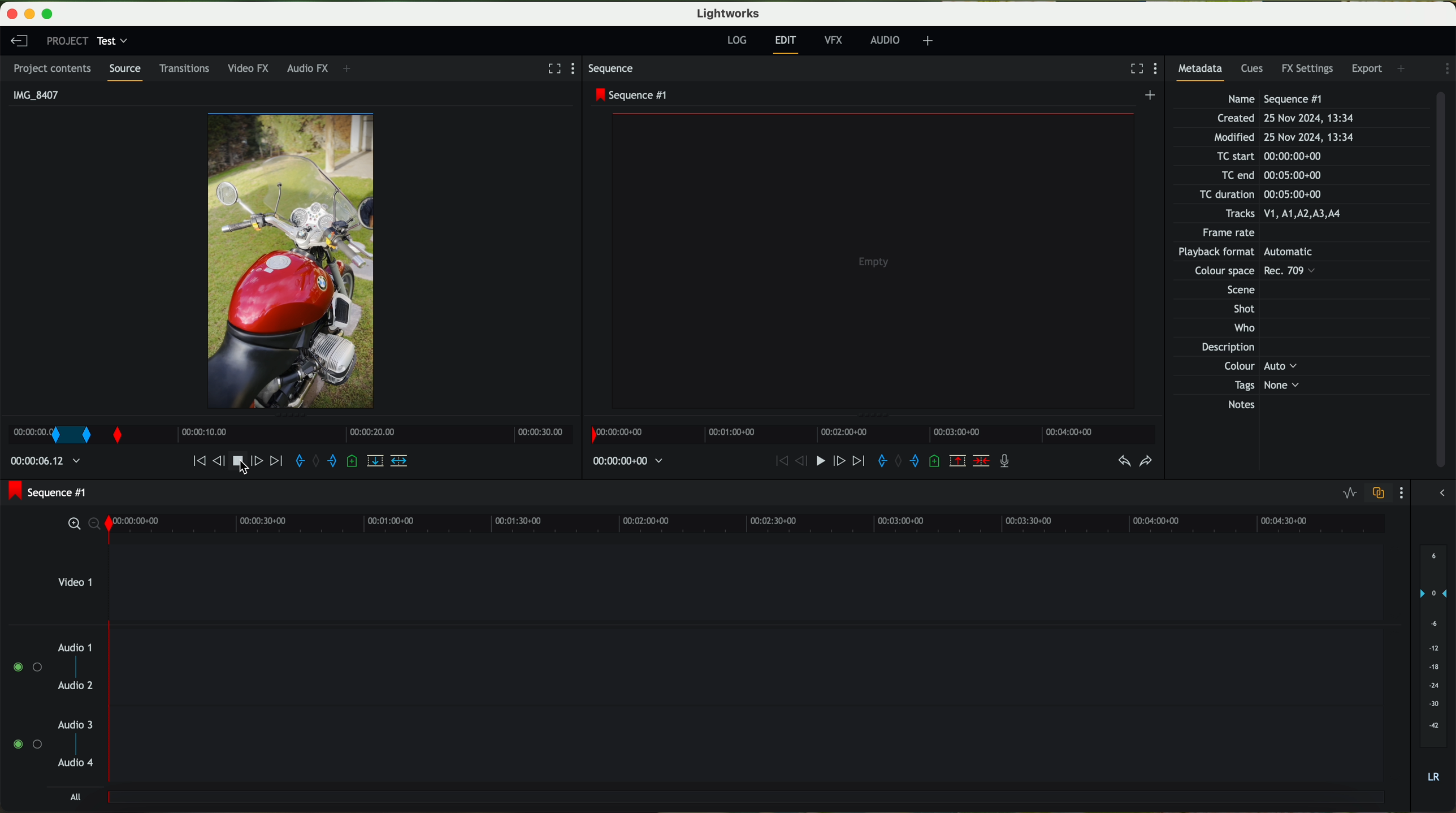 The image size is (1456, 813). Describe the element at coordinates (727, 14) in the screenshot. I see `Lightworks` at that location.